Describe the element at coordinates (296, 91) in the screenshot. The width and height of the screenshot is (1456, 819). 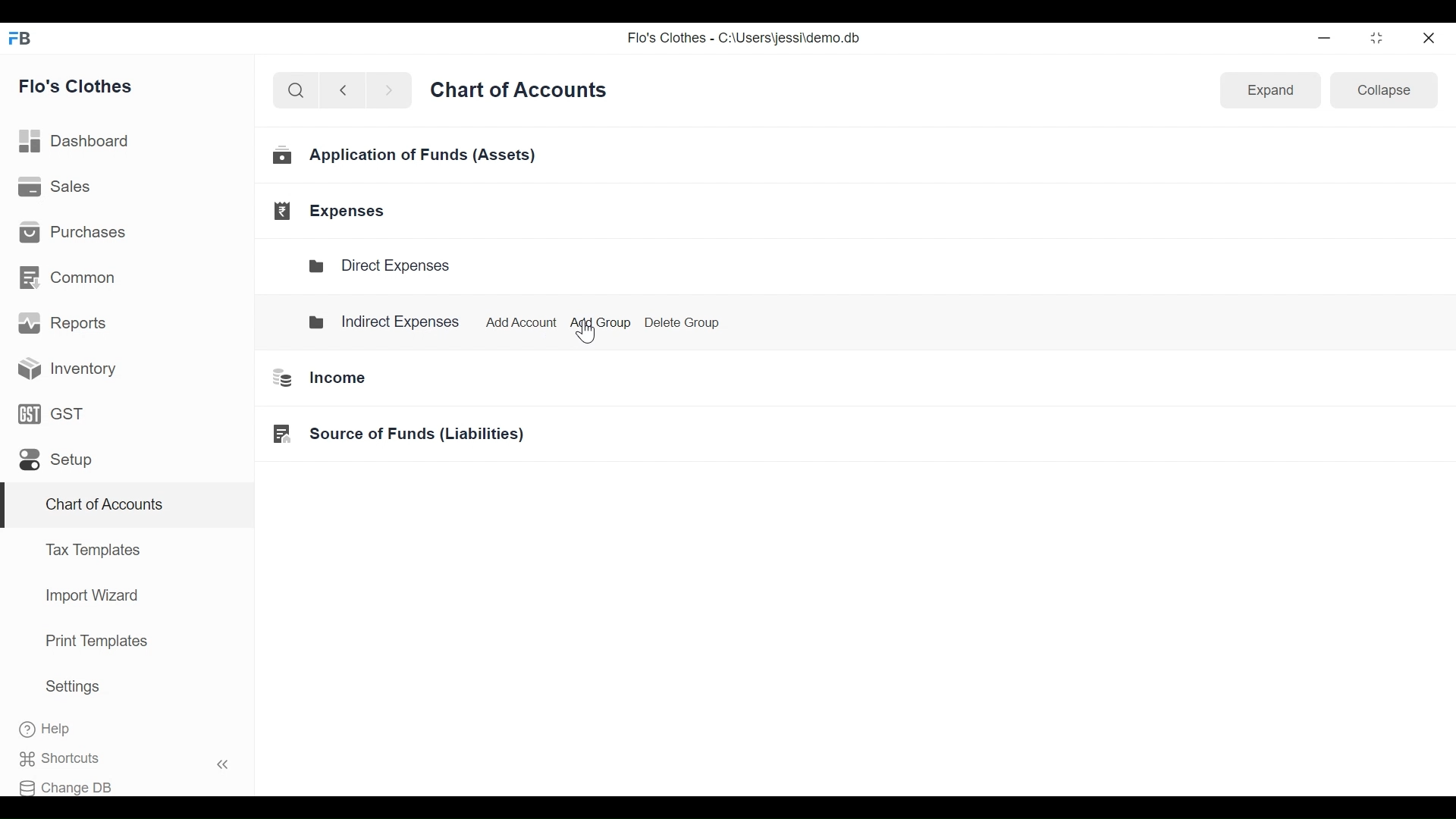
I see `search` at that location.